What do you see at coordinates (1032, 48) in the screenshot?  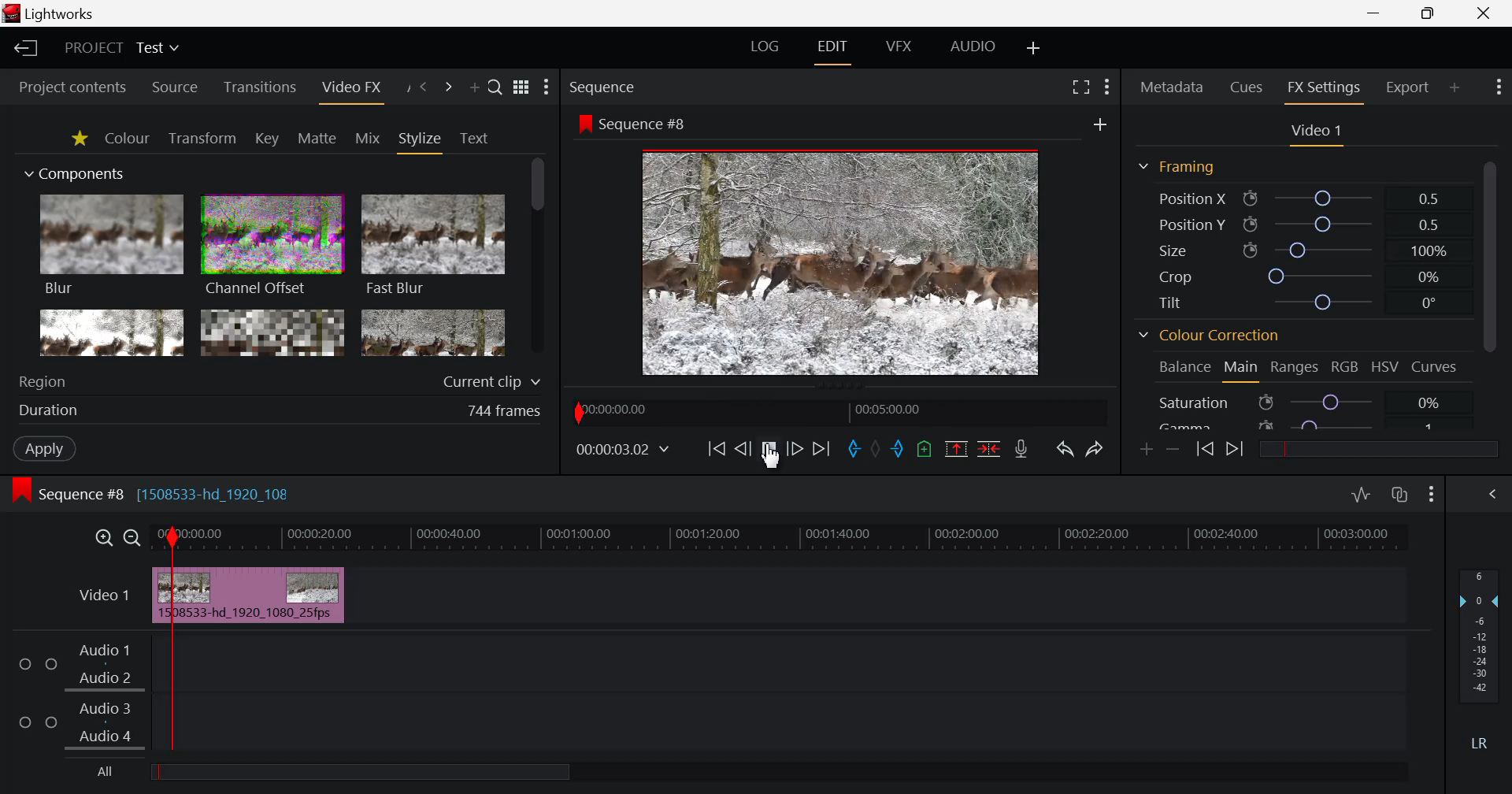 I see `Add Layout` at bounding box center [1032, 48].